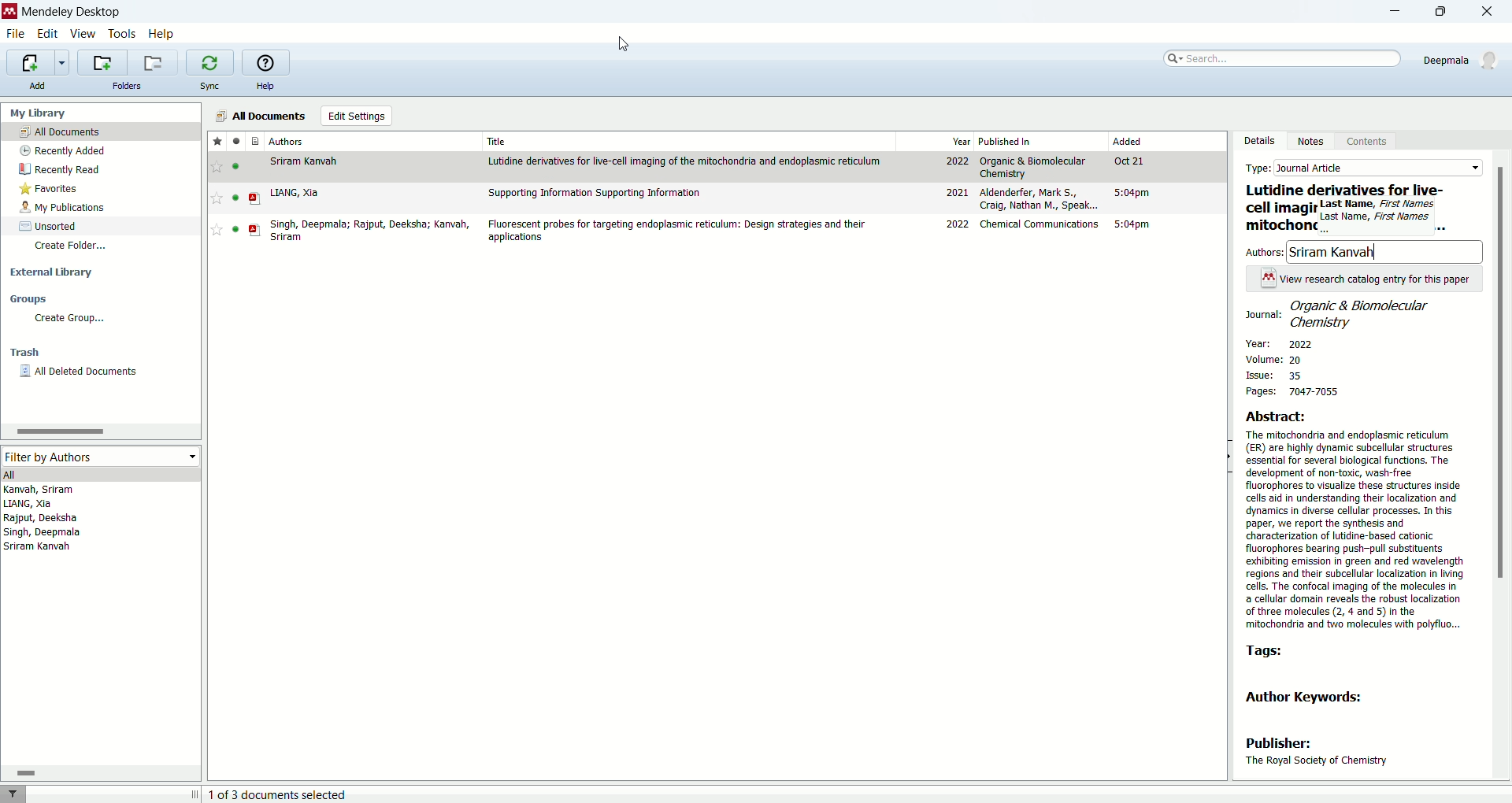 This screenshot has width=1512, height=803. What do you see at coordinates (217, 198) in the screenshot?
I see `Favourite` at bounding box center [217, 198].